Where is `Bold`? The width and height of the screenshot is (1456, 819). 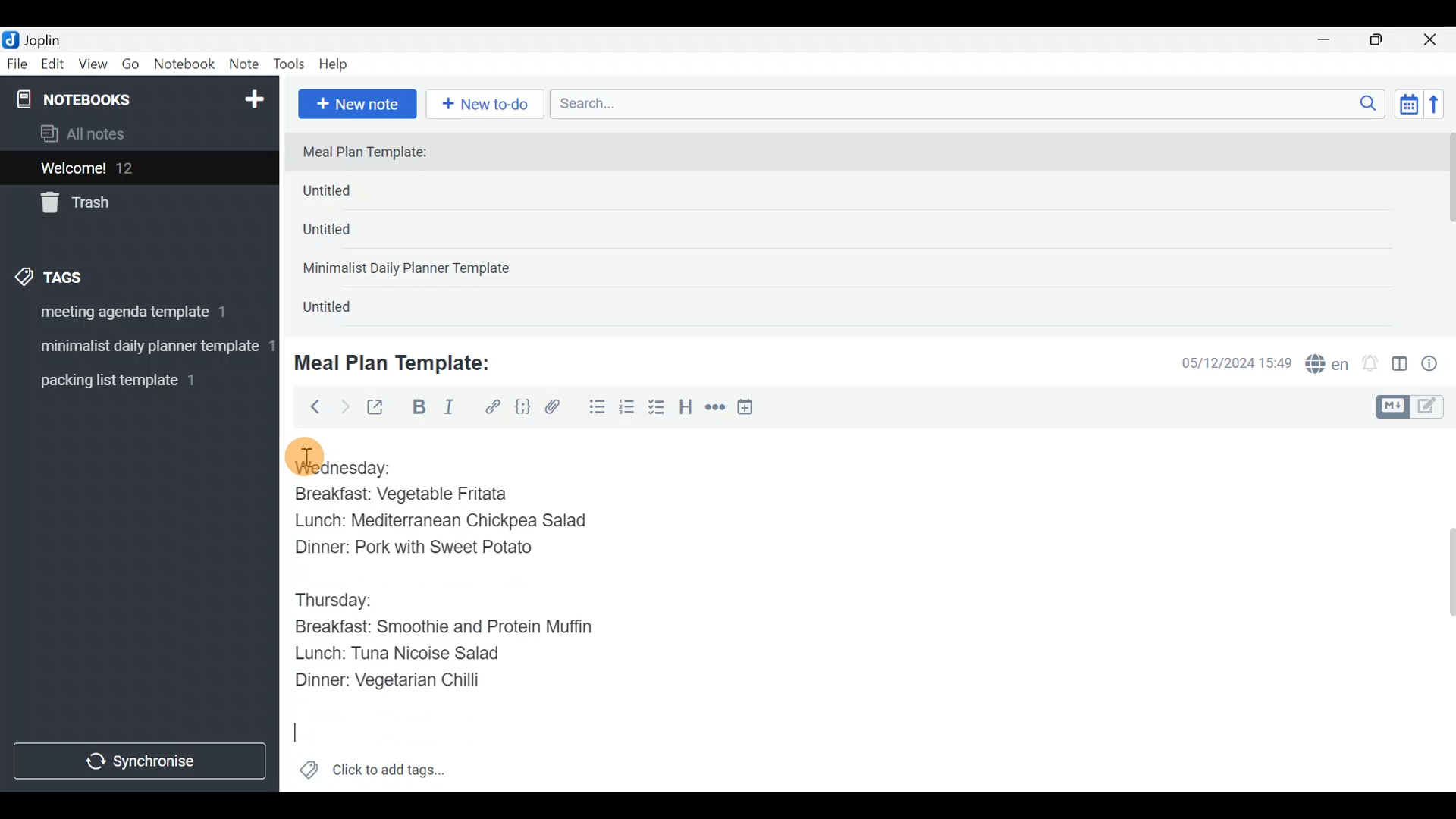
Bold is located at coordinates (418, 409).